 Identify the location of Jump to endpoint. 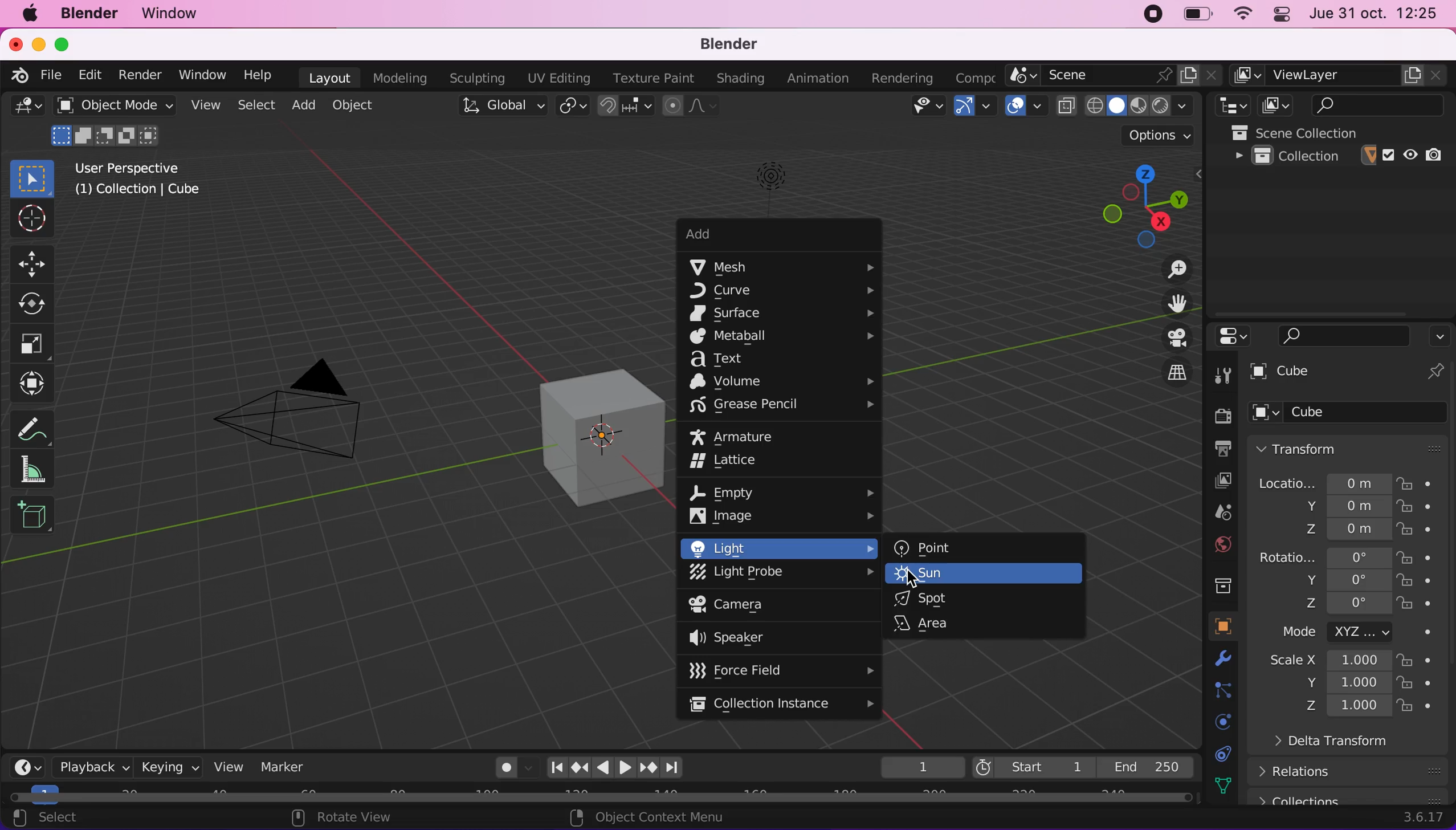
(676, 768).